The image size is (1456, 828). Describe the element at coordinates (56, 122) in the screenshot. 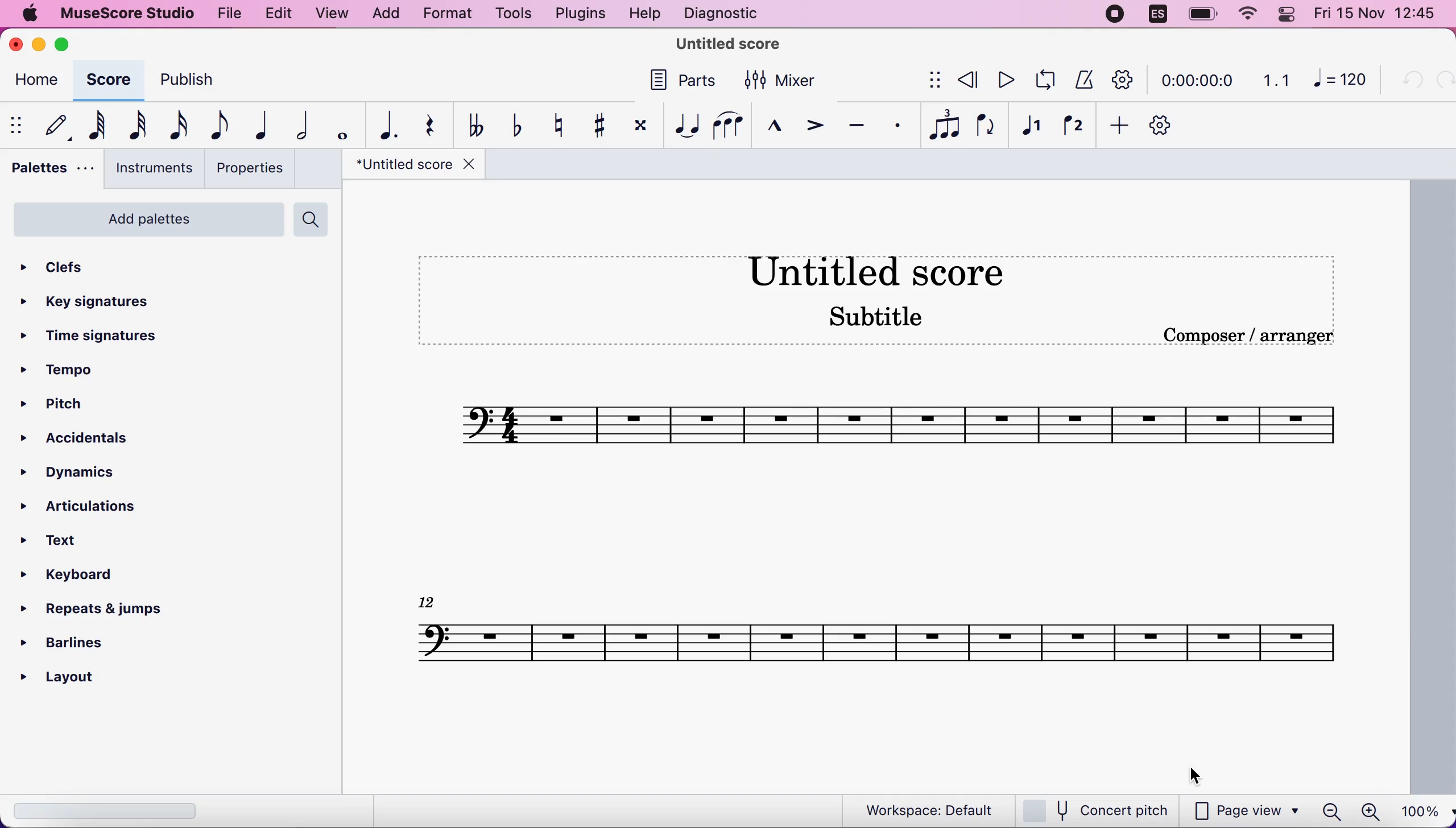

I see `default` at that location.